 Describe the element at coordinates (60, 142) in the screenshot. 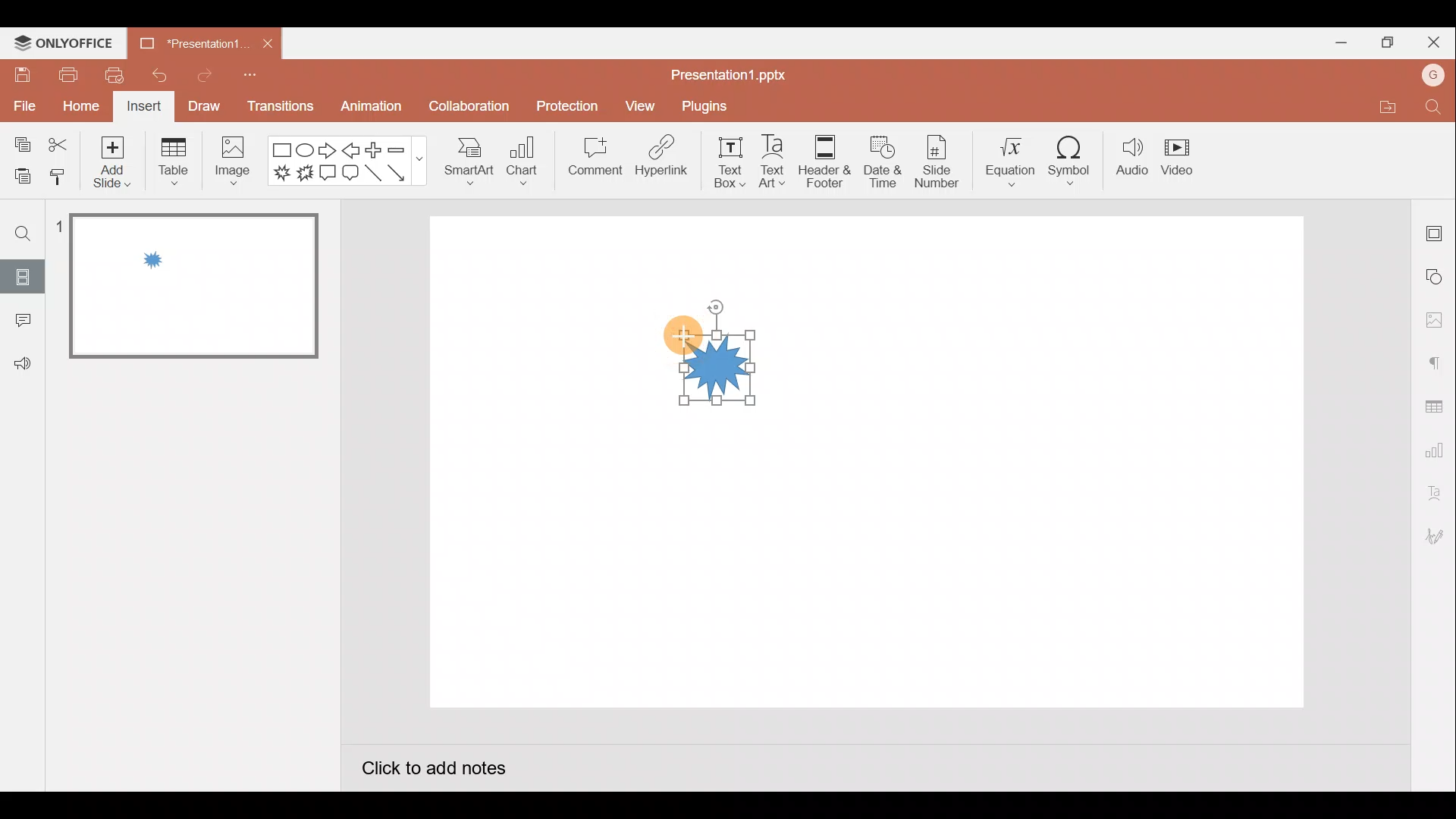

I see `Cut` at that location.